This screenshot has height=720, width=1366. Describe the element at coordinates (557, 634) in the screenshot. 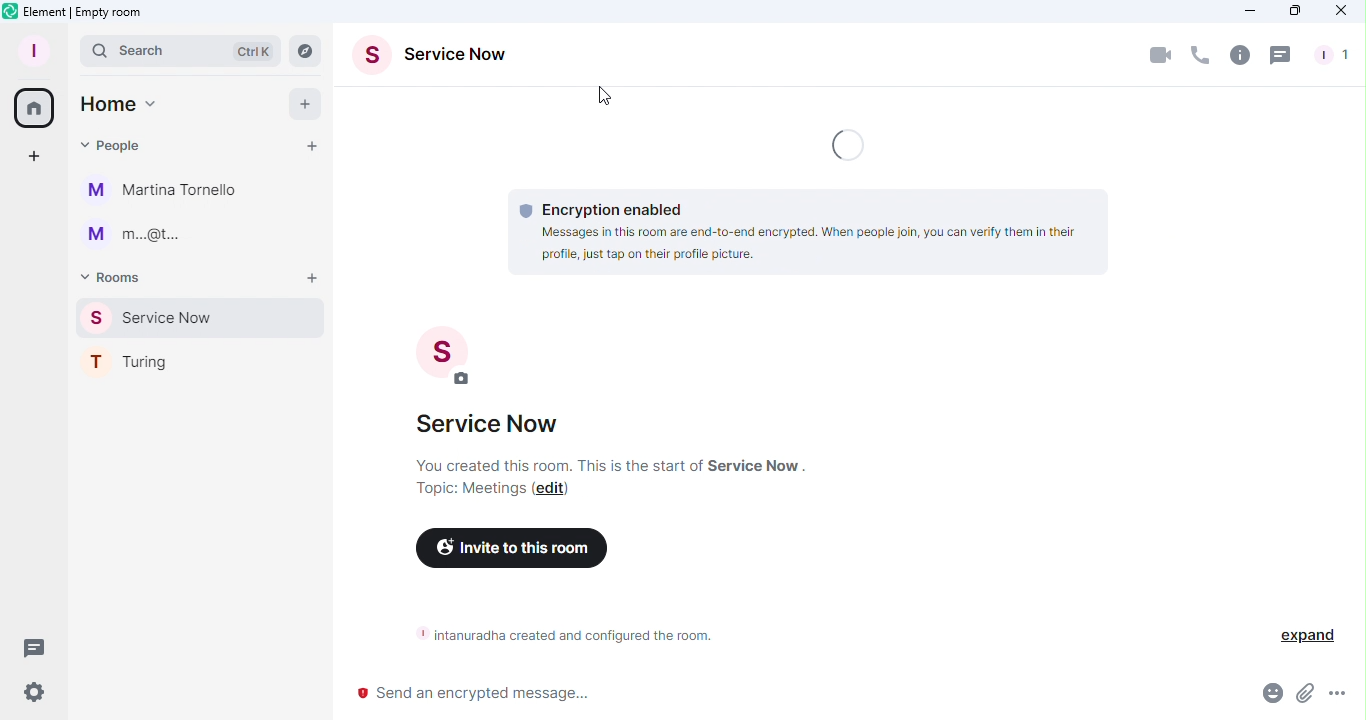

I see `Information` at that location.